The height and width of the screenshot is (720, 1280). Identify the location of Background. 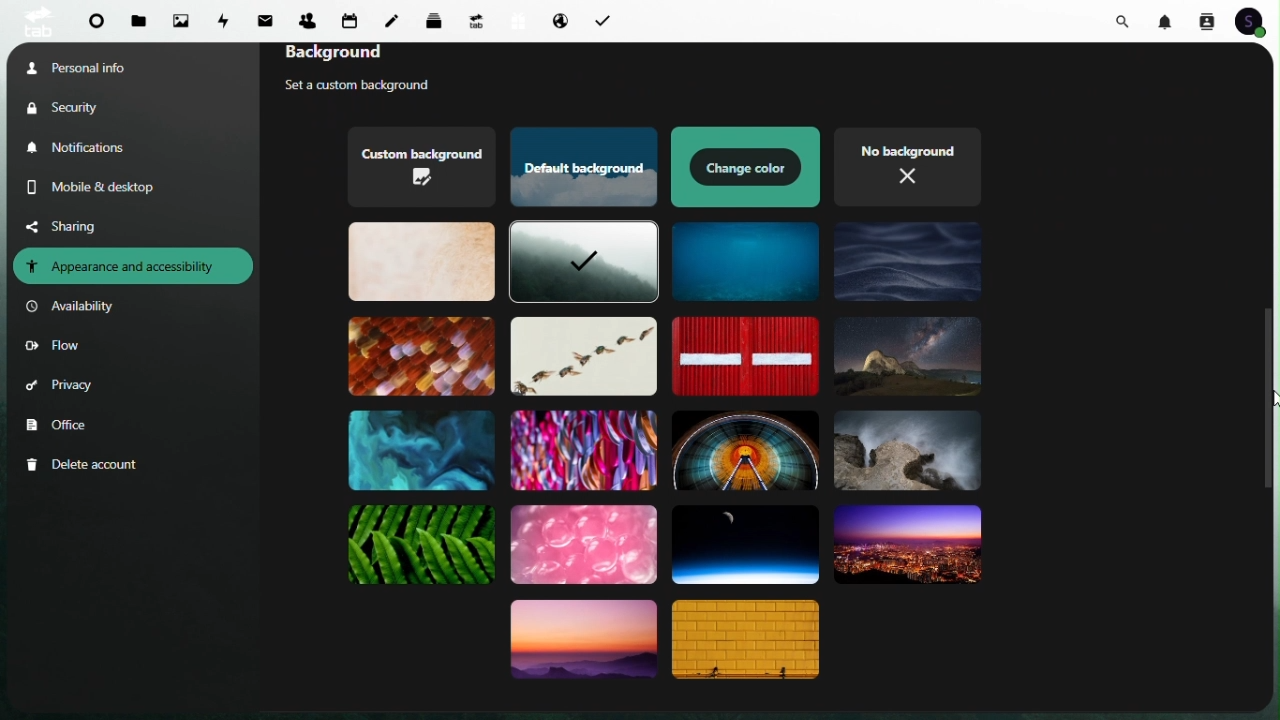
(367, 56).